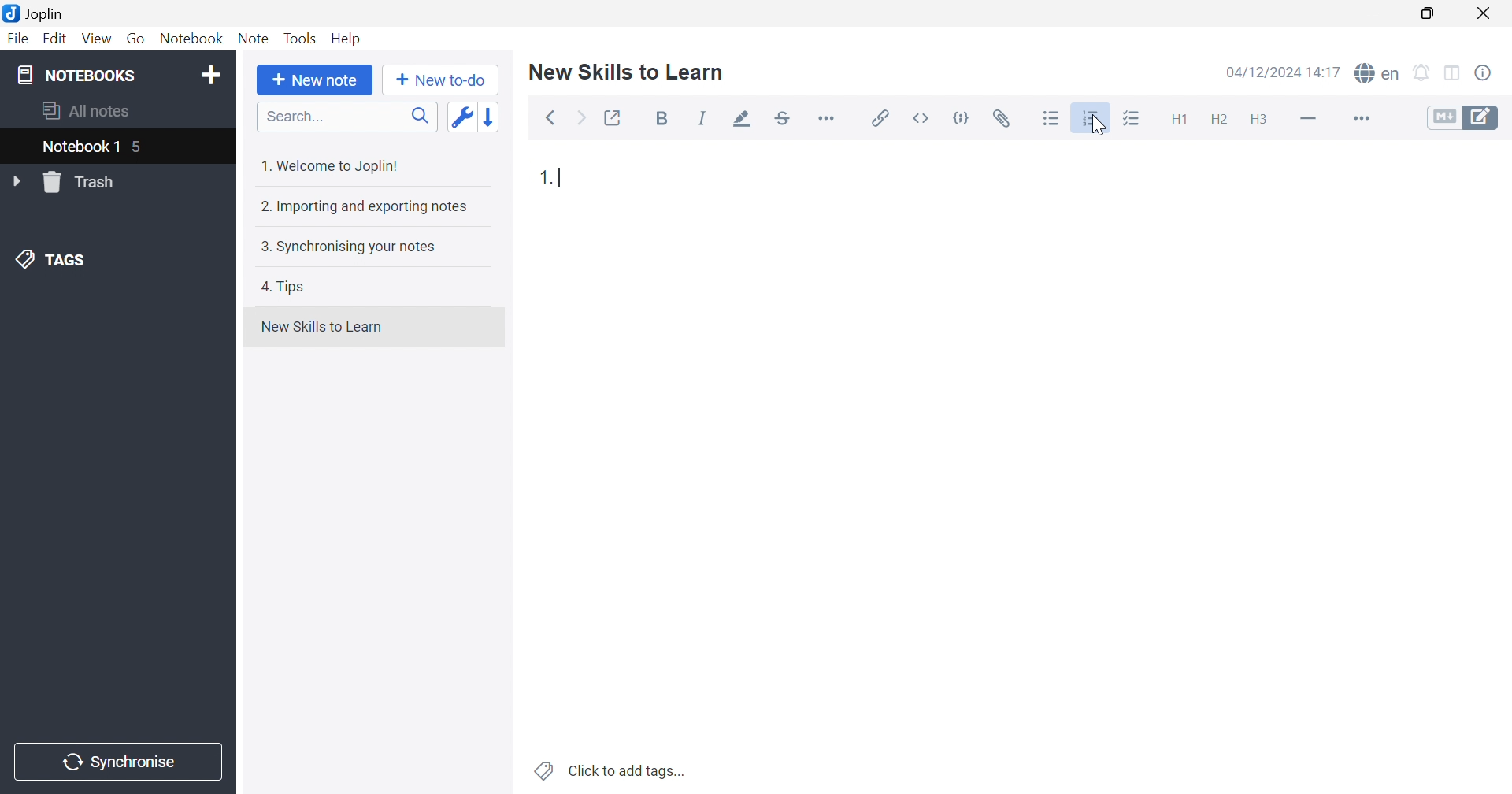 The height and width of the screenshot is (794, 1512). What do you see at coordinates (321, 327) in the screenshot?
I see `New Skills to Learn` at bounding box center [321, 327].